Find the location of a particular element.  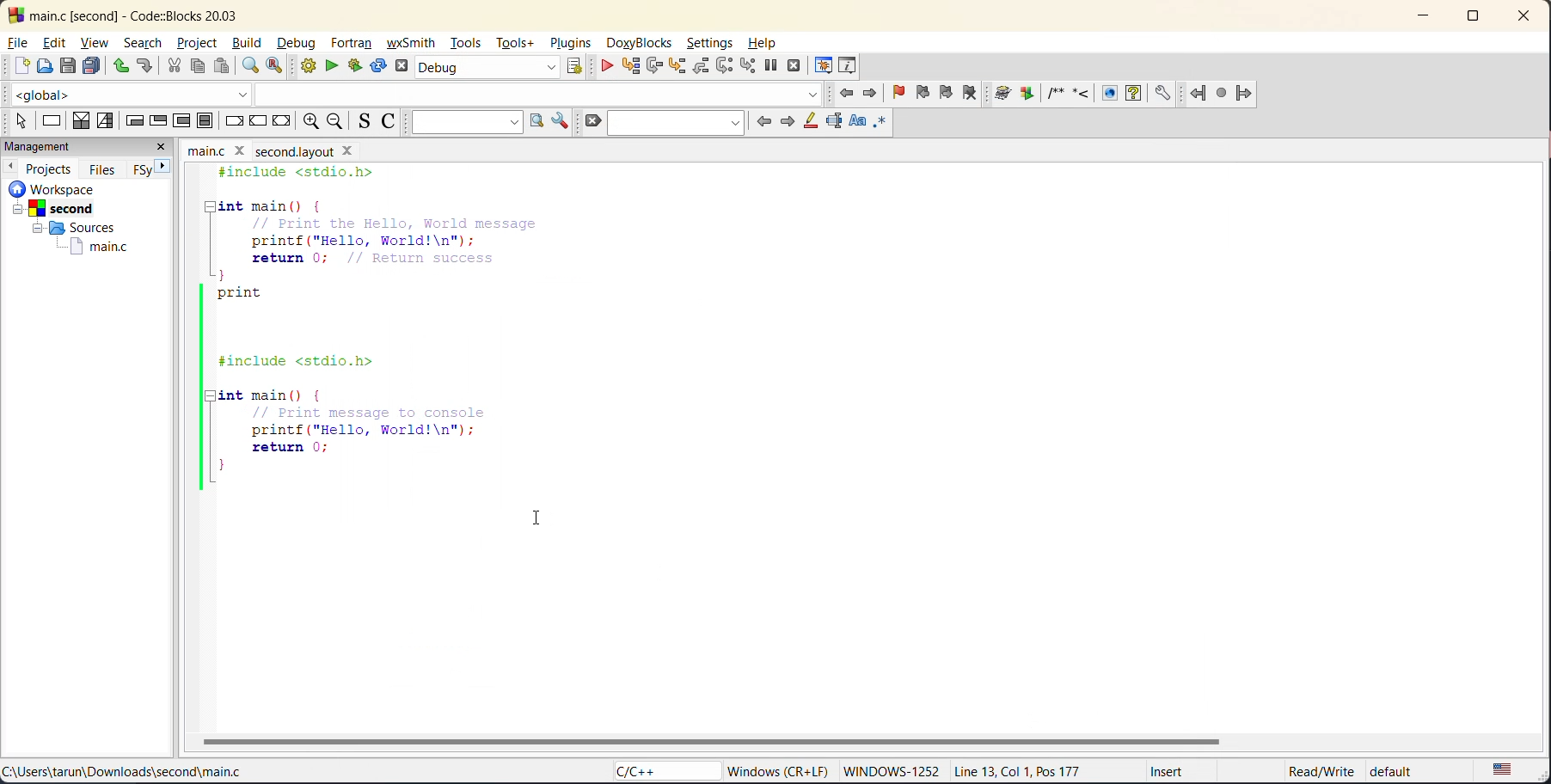

jump backward is located at coordinates (1200, 93).